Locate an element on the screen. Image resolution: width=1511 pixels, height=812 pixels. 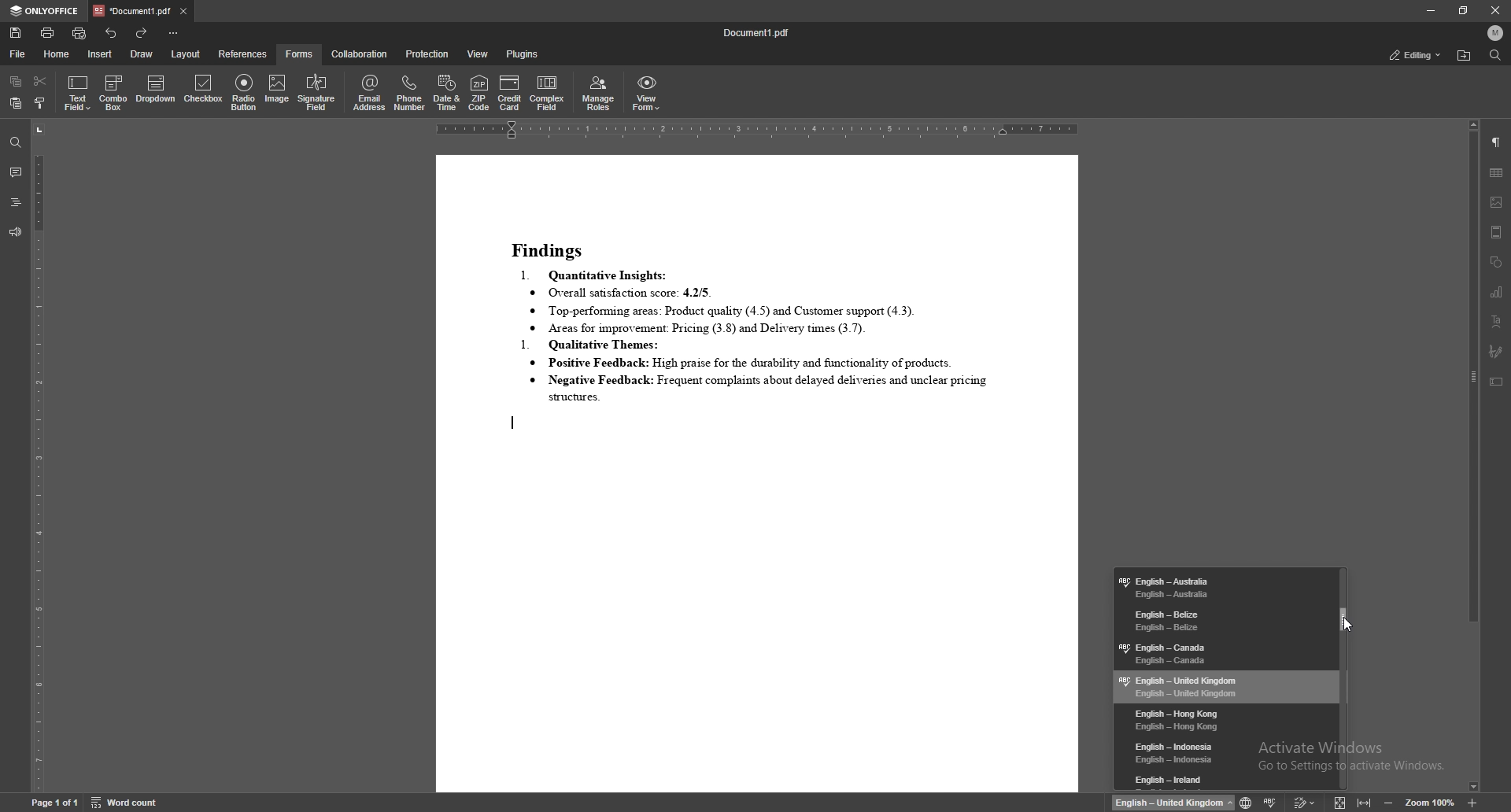
vertical scale is located at coordinates (38, 458).